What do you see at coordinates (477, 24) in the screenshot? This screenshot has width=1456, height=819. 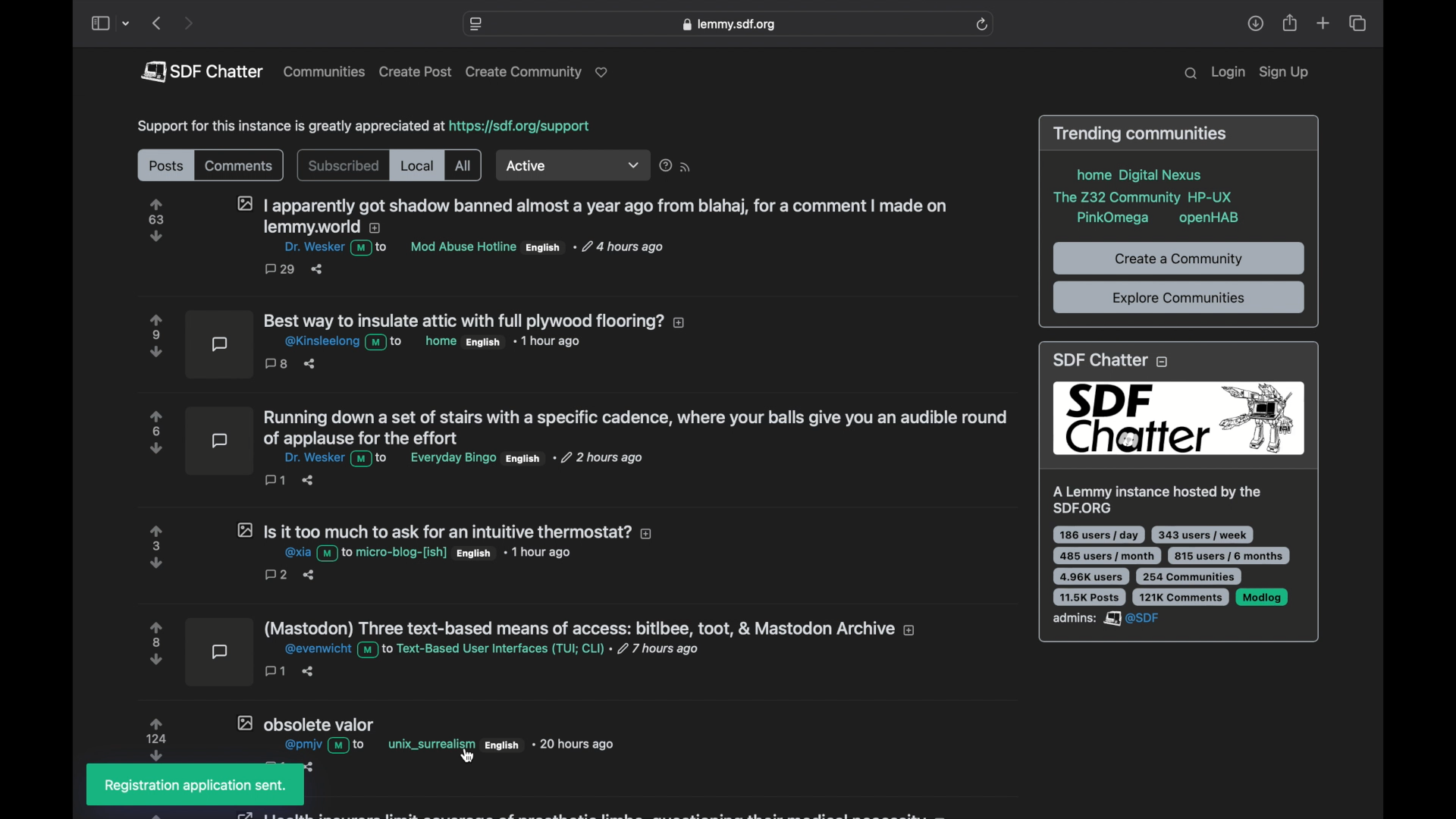 I see `website settings` at bounding box center [477, 24].